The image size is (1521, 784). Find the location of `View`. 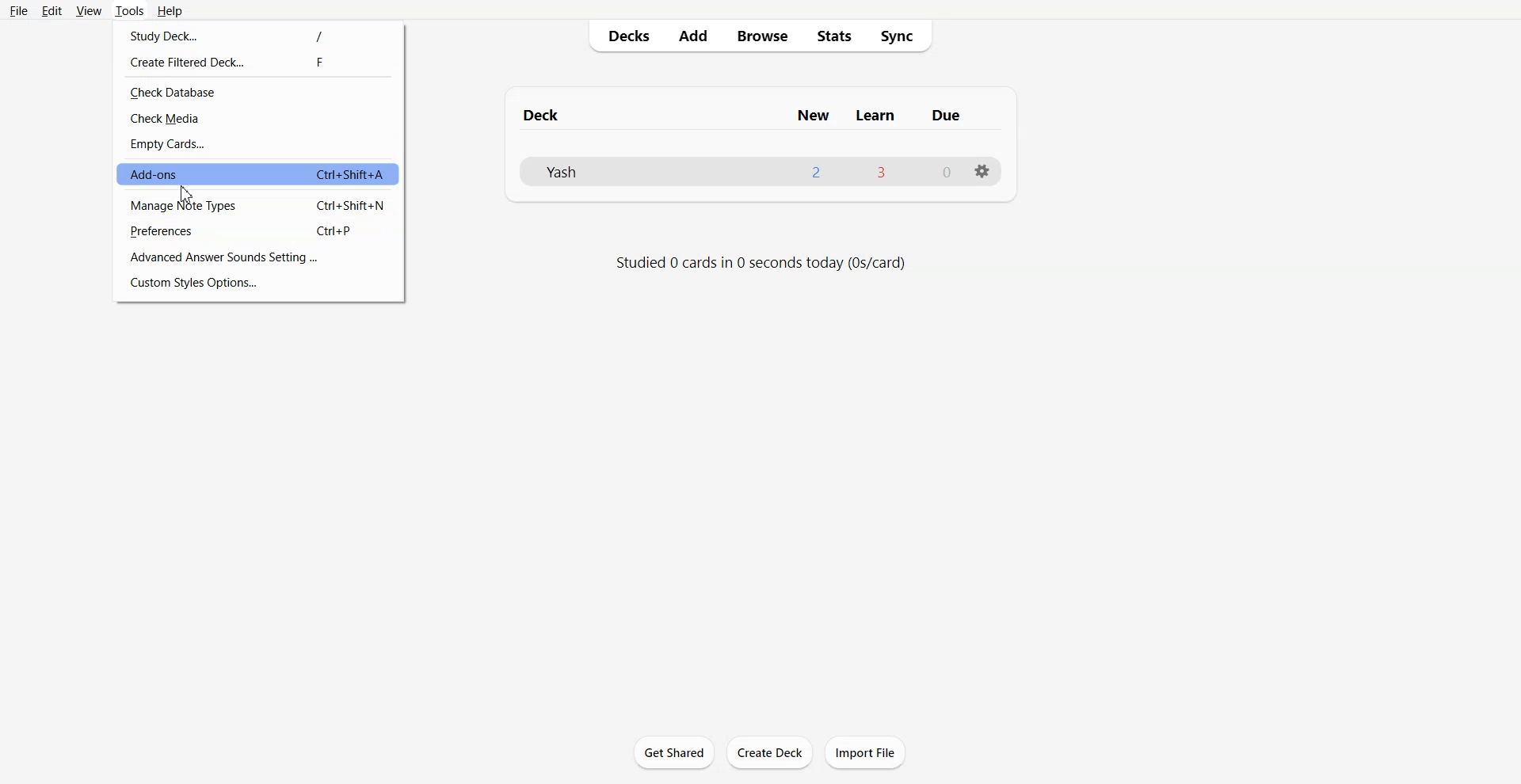

View is located at coordinates (87, 10).